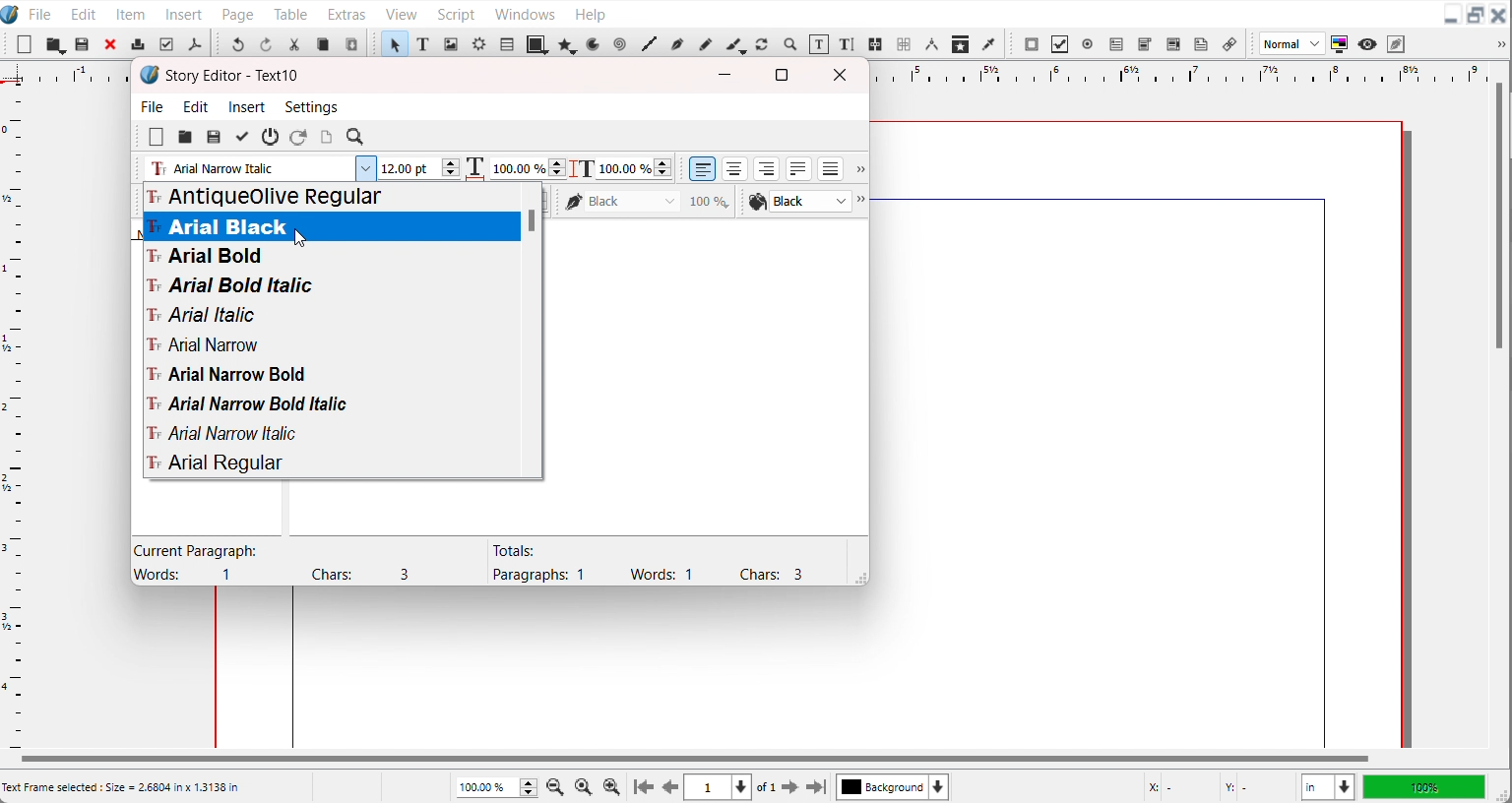 The image size is (1512, 803). I want to click on Vertical scroll bar, so click(1499, 217).